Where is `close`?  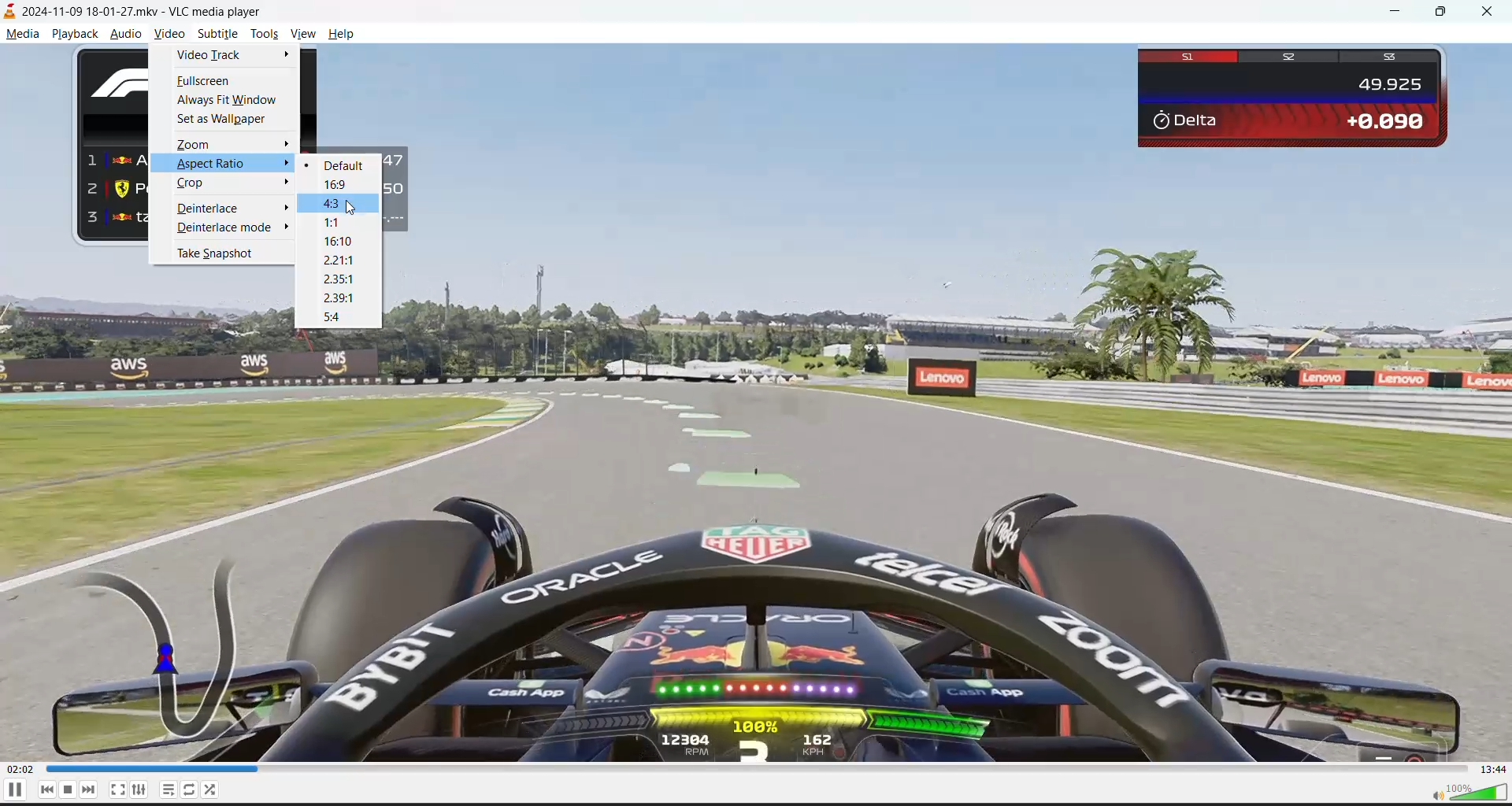
close is located at coordinates (1483, 13).